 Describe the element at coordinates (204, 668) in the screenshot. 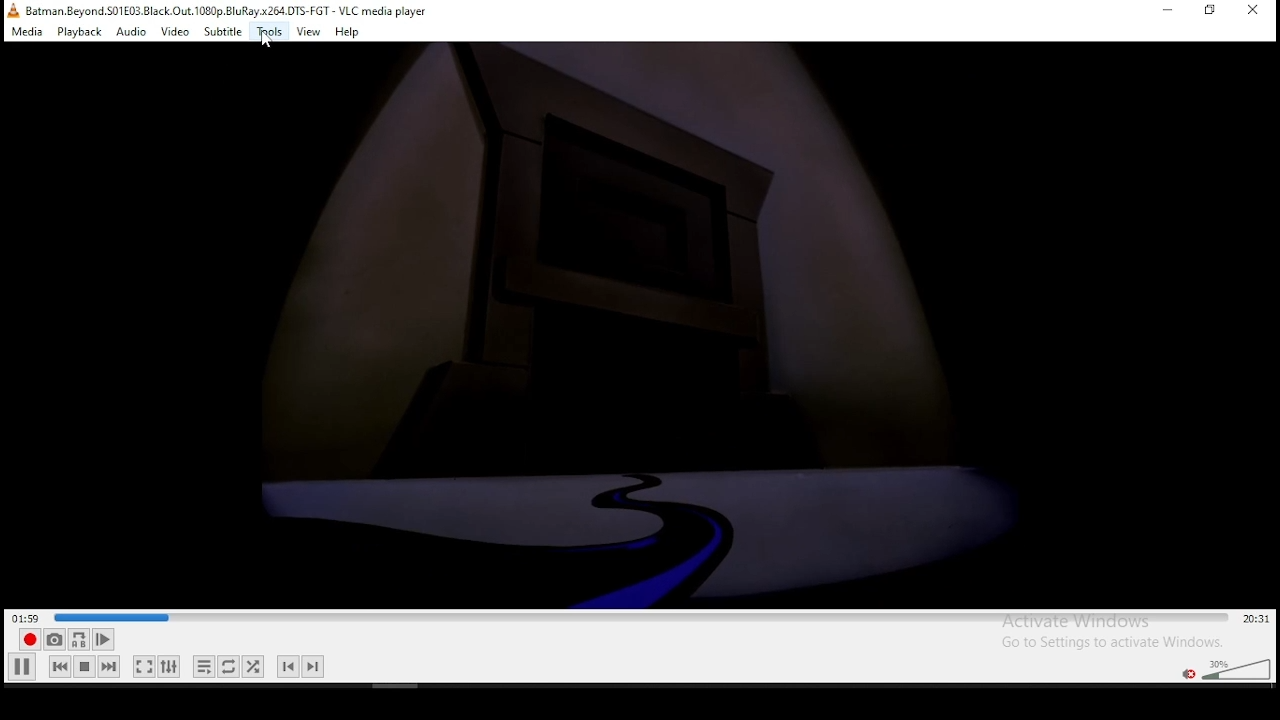

I see `toggle playlist` at that location.